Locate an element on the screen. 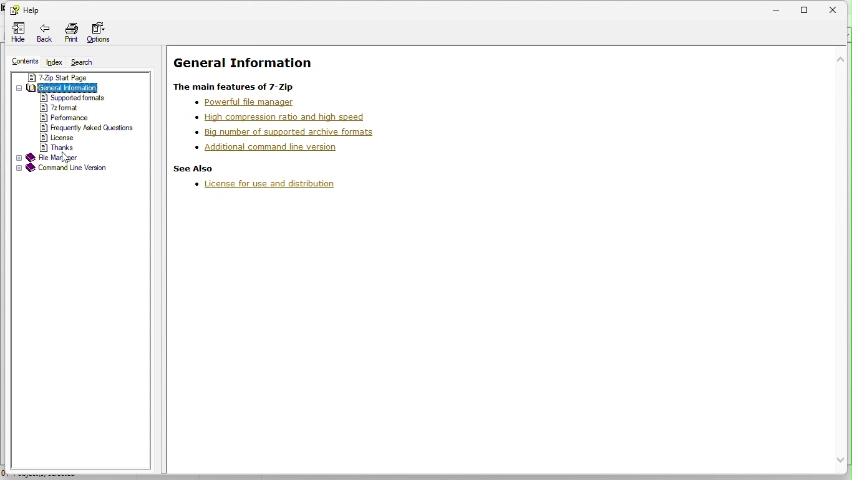  7 zip start page is located at coordinates (57, 77).